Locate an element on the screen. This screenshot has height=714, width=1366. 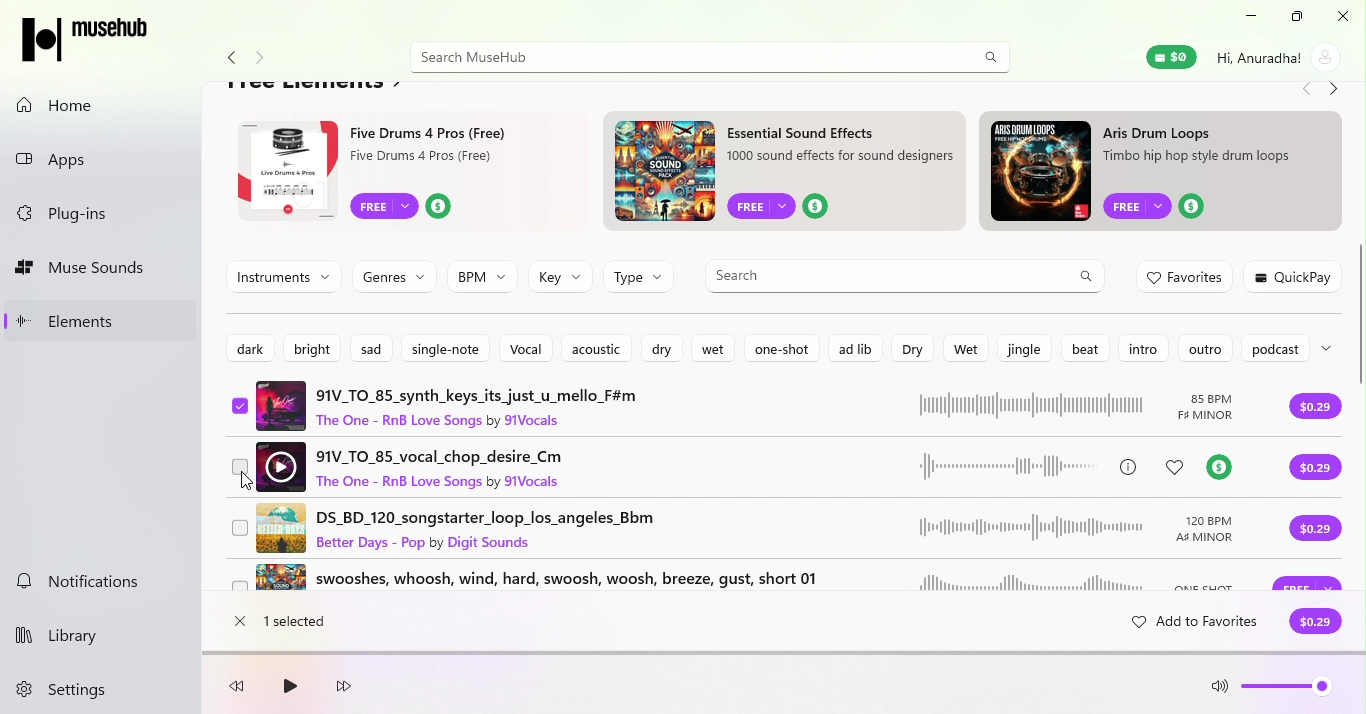
Vocal is located at coordinates (525, 348).